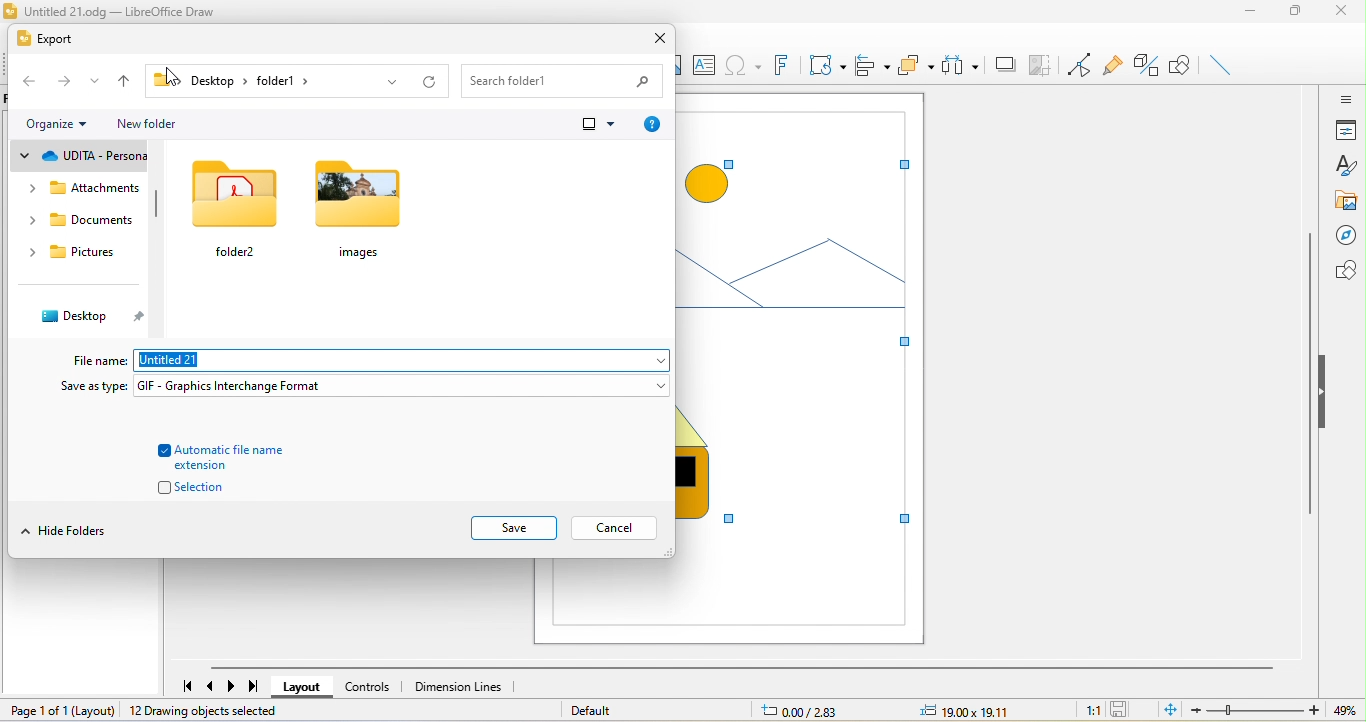  I want to click on  Attachments, so click(86, 190).